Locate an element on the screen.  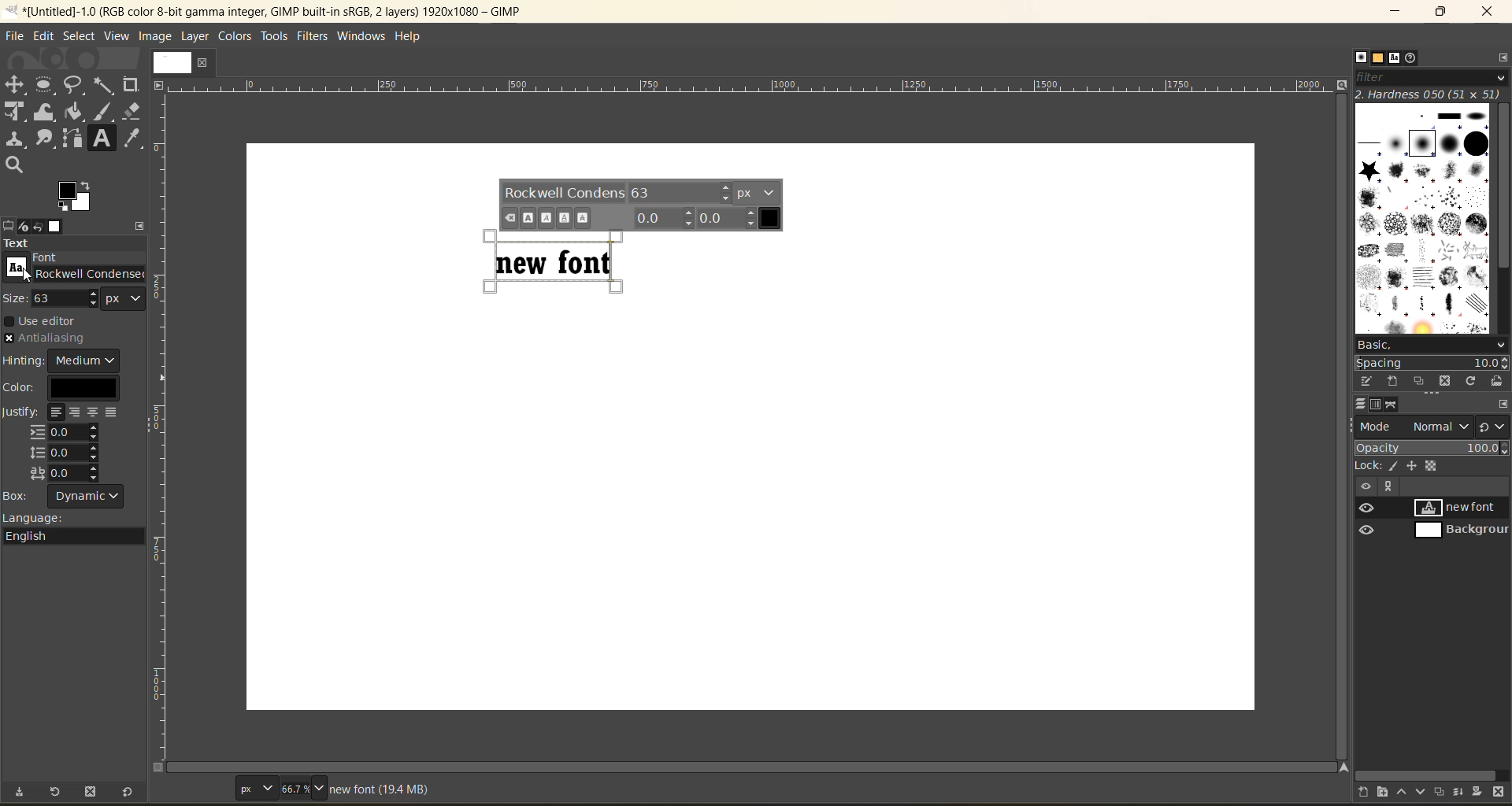
justify is located at coordinates (65, 443).